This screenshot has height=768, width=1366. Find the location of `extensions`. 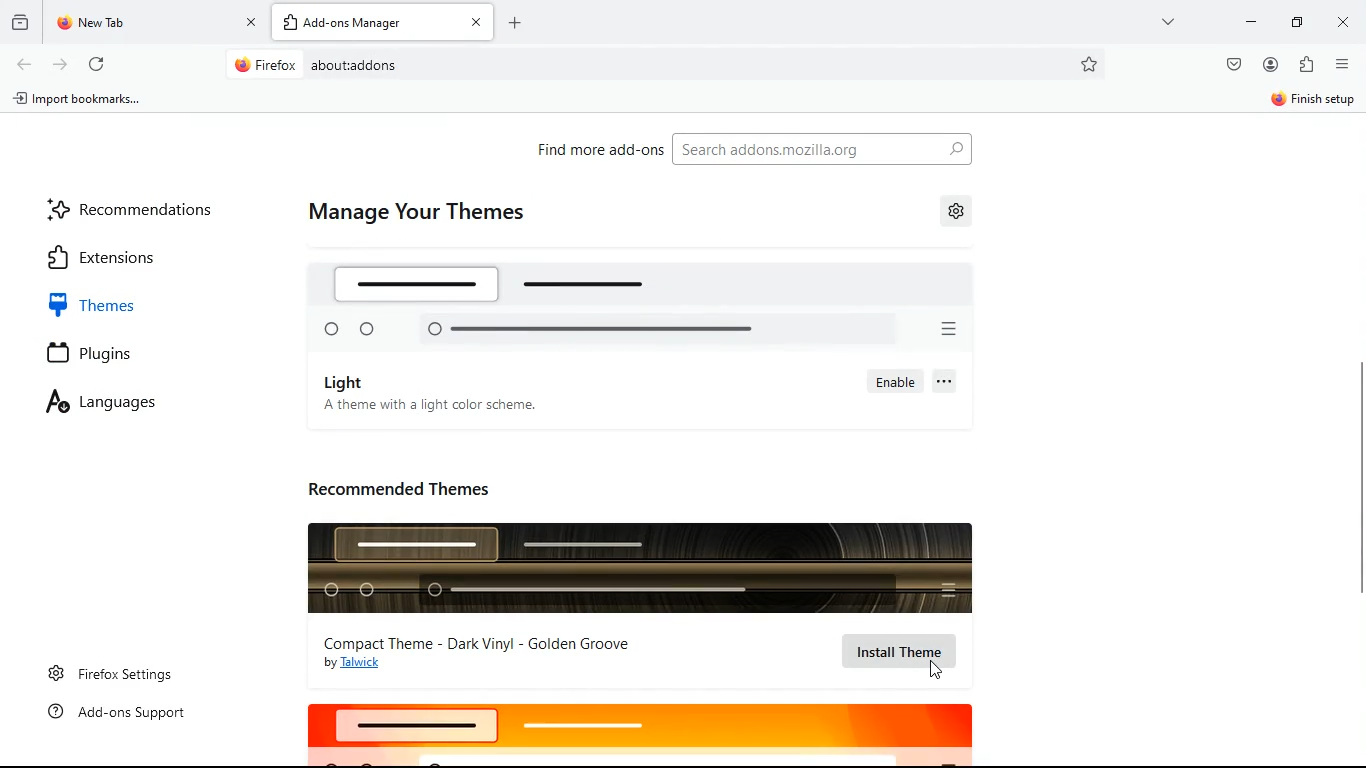

extensions is located at coordinates (125, 256).